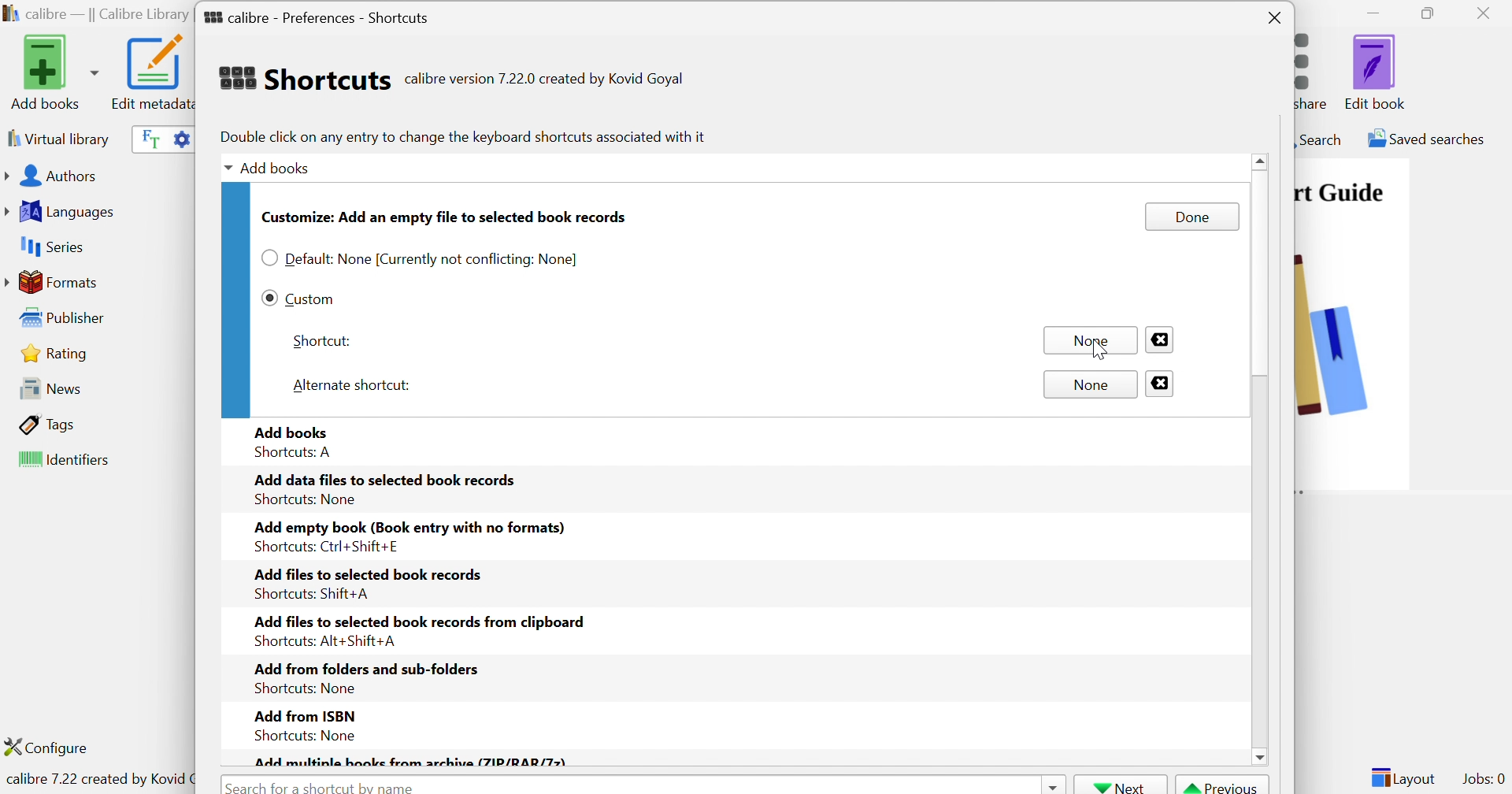 The height and width of the screenshot is (794, 1512). I want to click on Advanced search, so click(180, 137).